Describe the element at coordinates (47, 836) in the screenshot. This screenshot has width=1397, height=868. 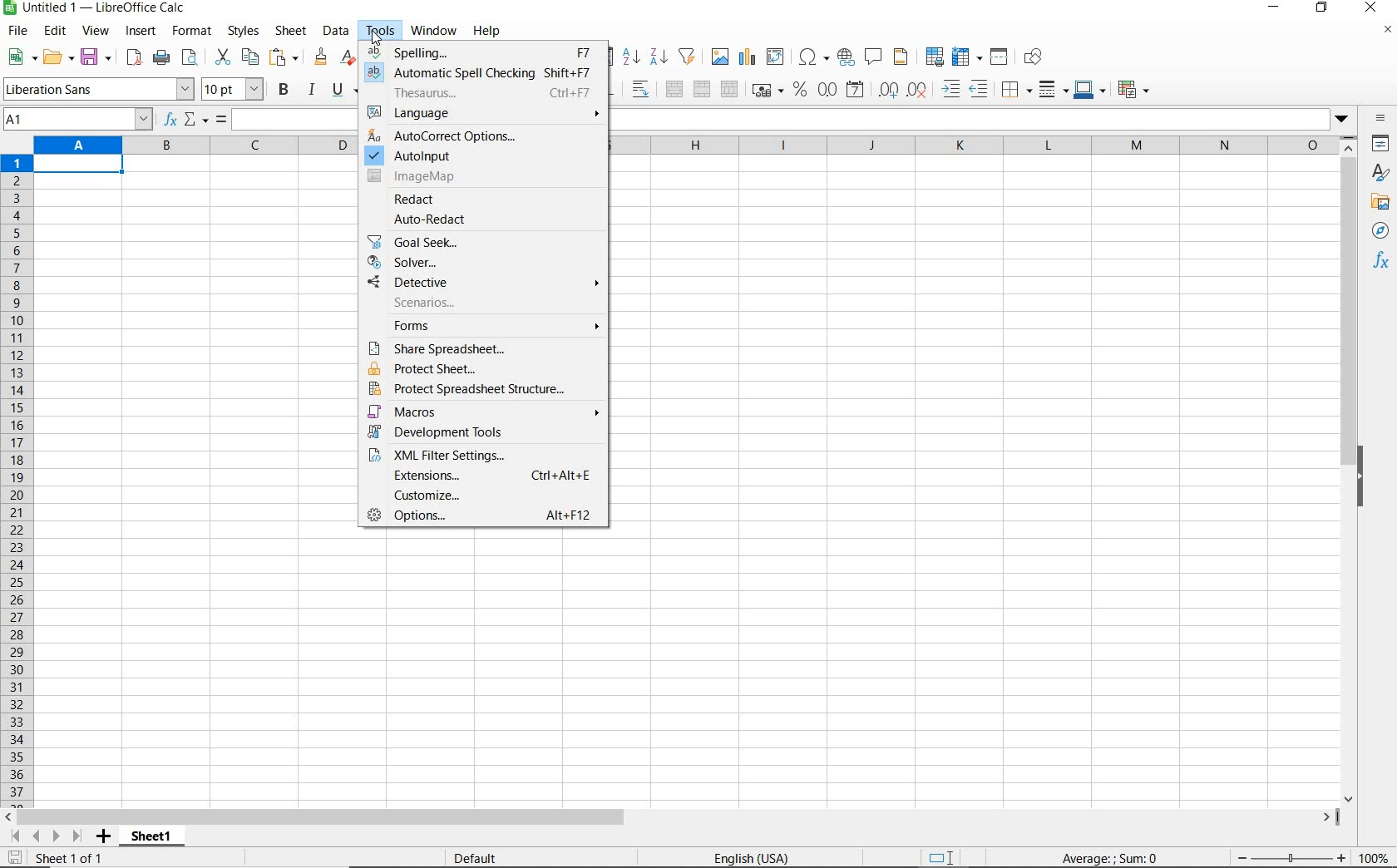
I see `MOVE SHEETS` at that location.